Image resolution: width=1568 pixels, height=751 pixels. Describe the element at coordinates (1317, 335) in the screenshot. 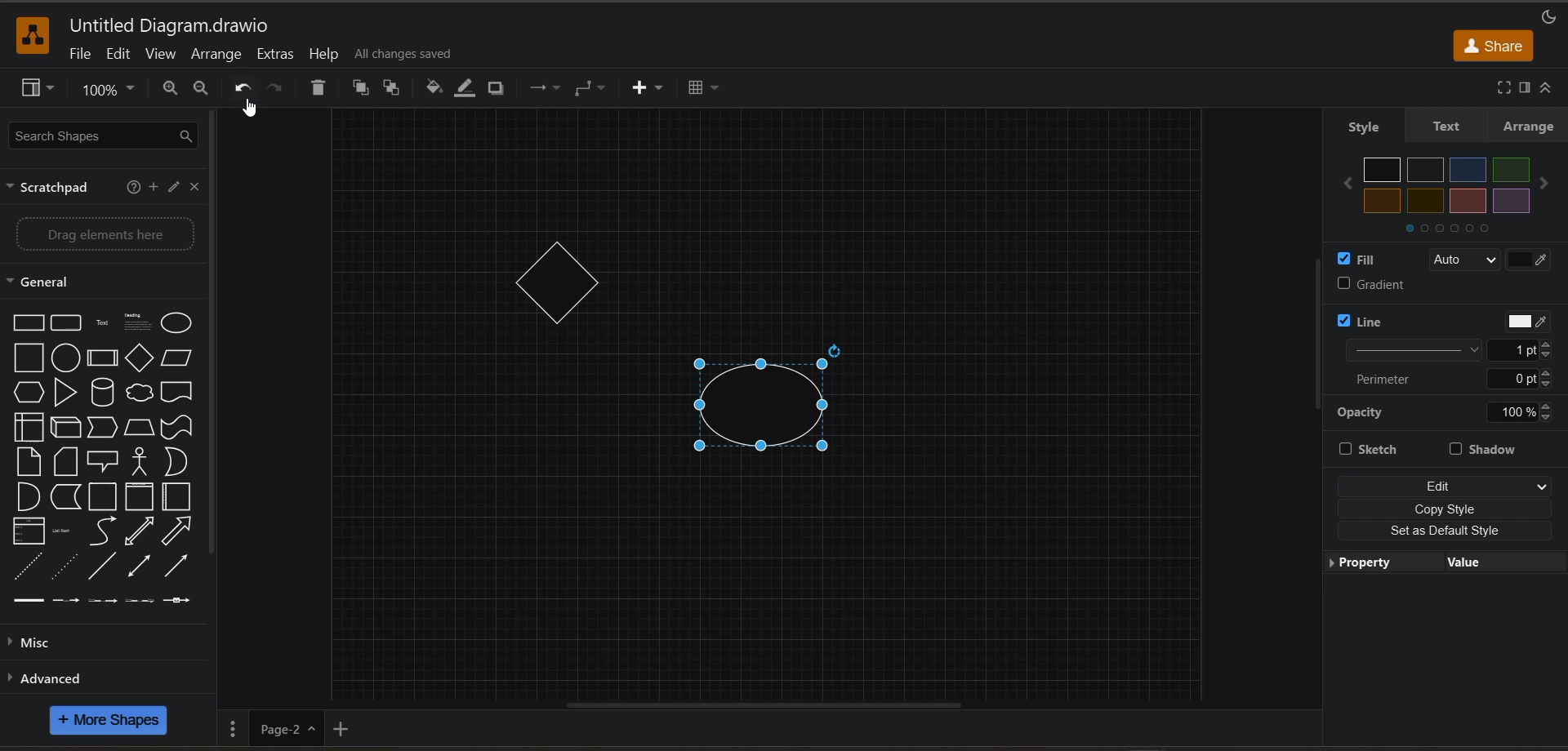

I see `vertical scroll bar` at that location.